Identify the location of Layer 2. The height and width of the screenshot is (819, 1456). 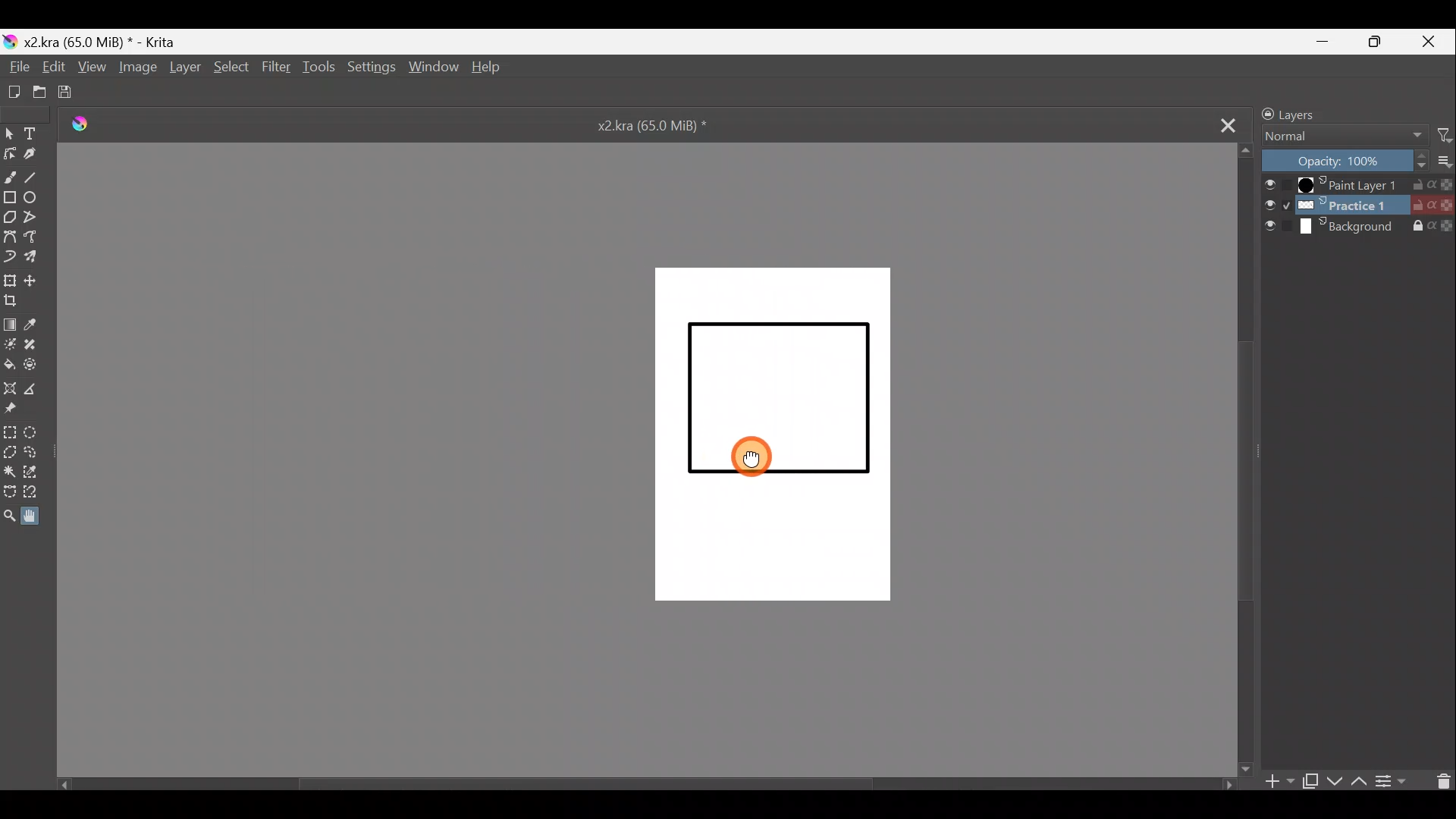
(1357, 207).